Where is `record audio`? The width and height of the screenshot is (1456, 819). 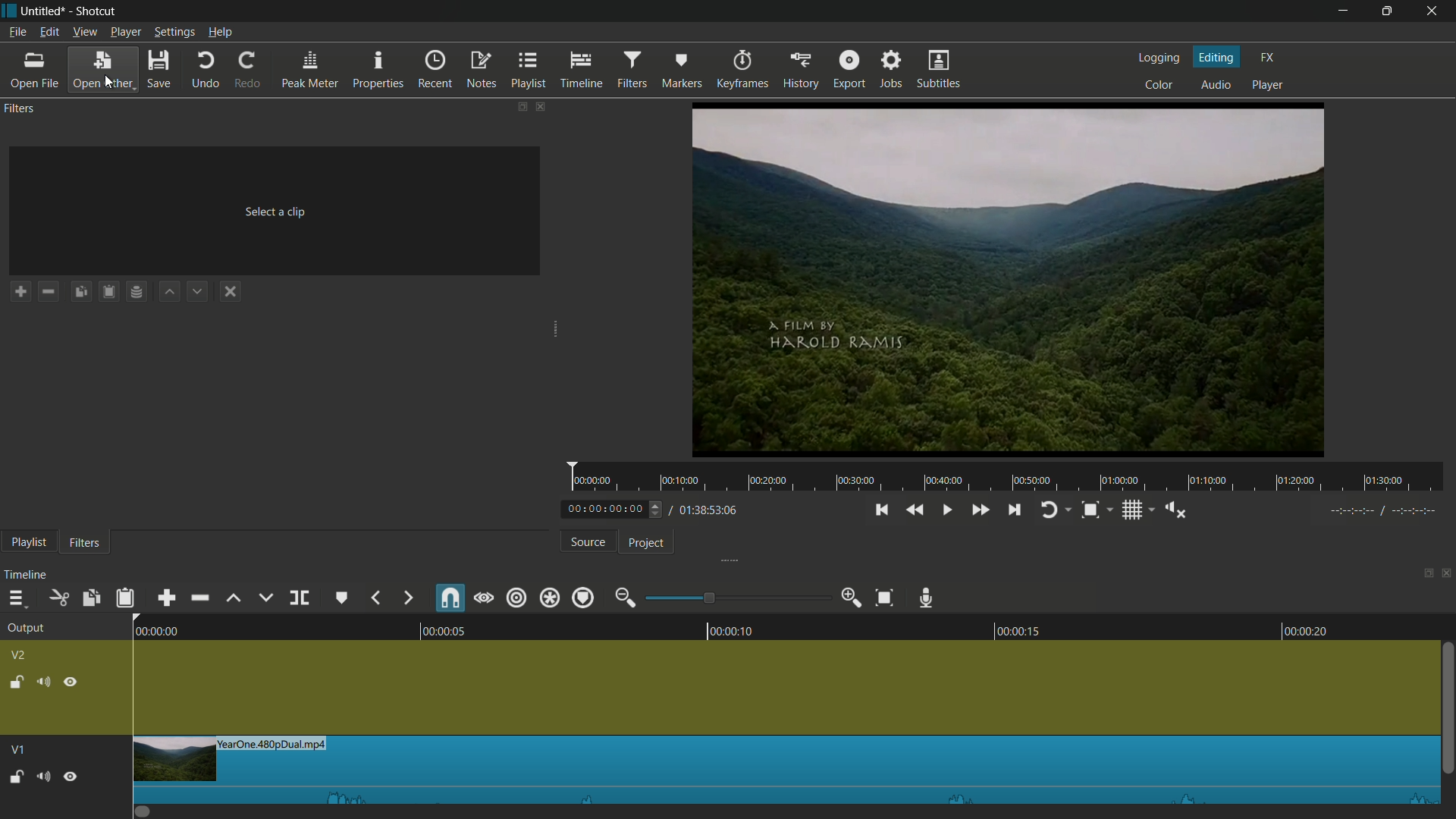 record audio is located at coordinates (927, 596).